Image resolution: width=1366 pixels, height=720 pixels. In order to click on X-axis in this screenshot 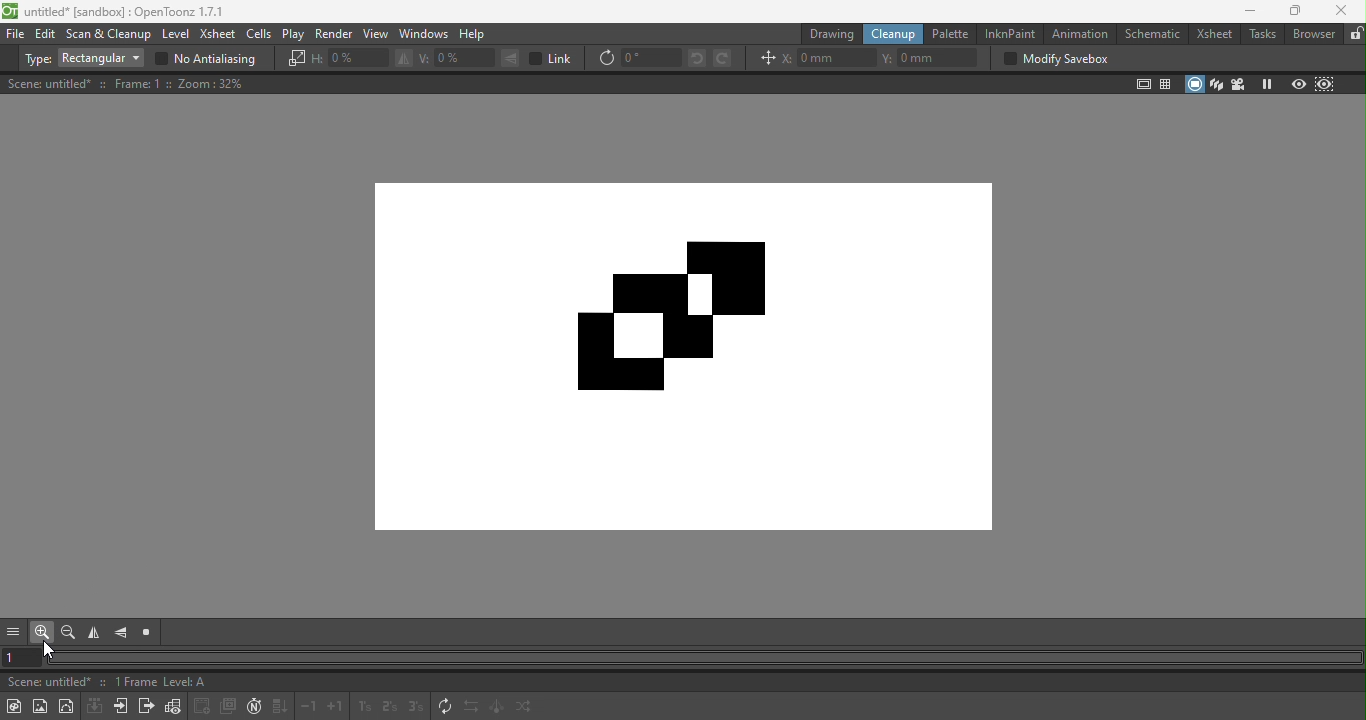, I will do `click(828, 57)`.